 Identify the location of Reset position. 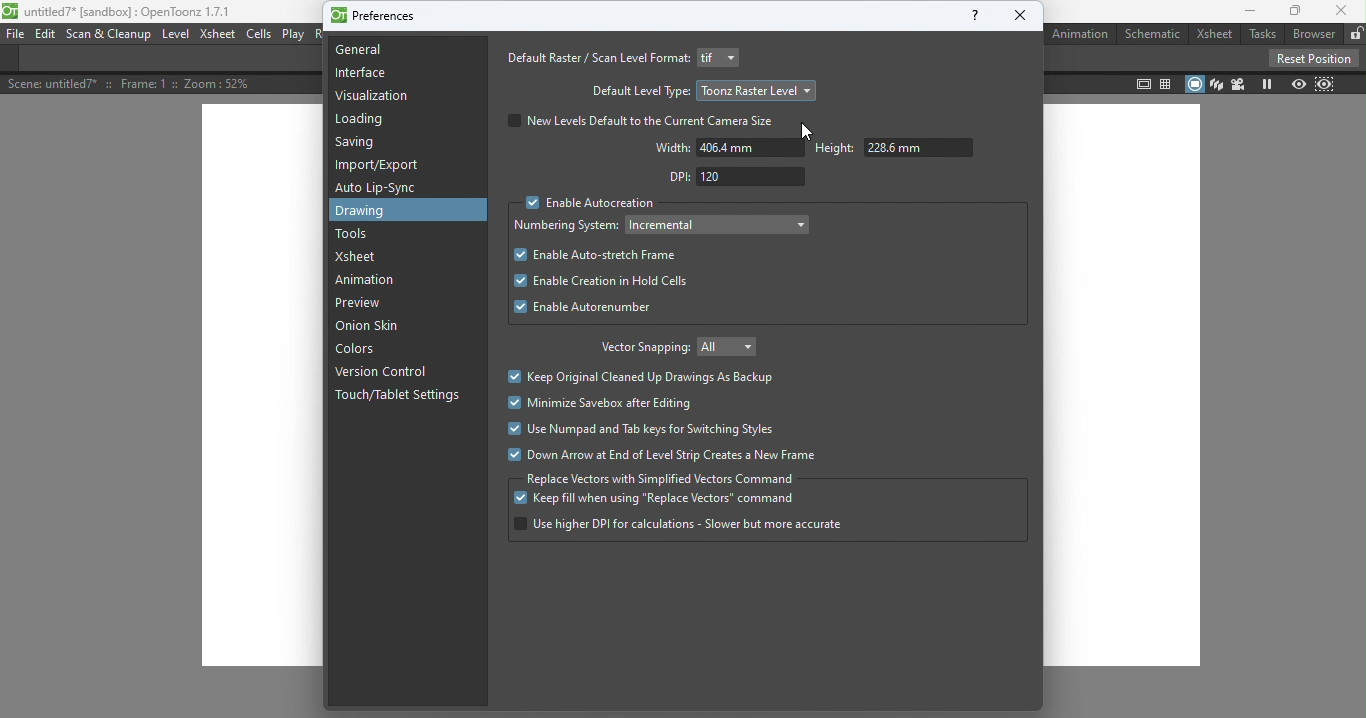
(1311, 57).